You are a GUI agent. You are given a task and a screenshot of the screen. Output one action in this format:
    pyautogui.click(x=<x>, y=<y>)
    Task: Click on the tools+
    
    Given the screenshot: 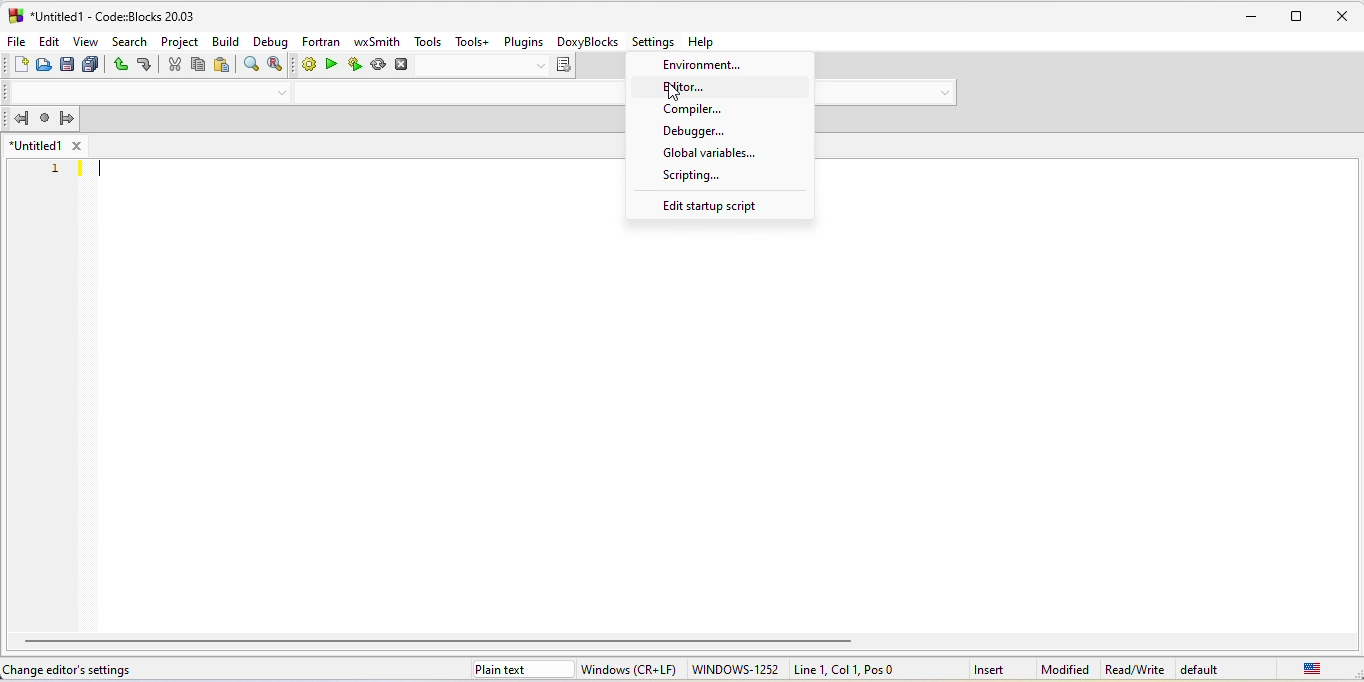 What is the action you would take?
    pyautogui.click(x=468, y=40)
    